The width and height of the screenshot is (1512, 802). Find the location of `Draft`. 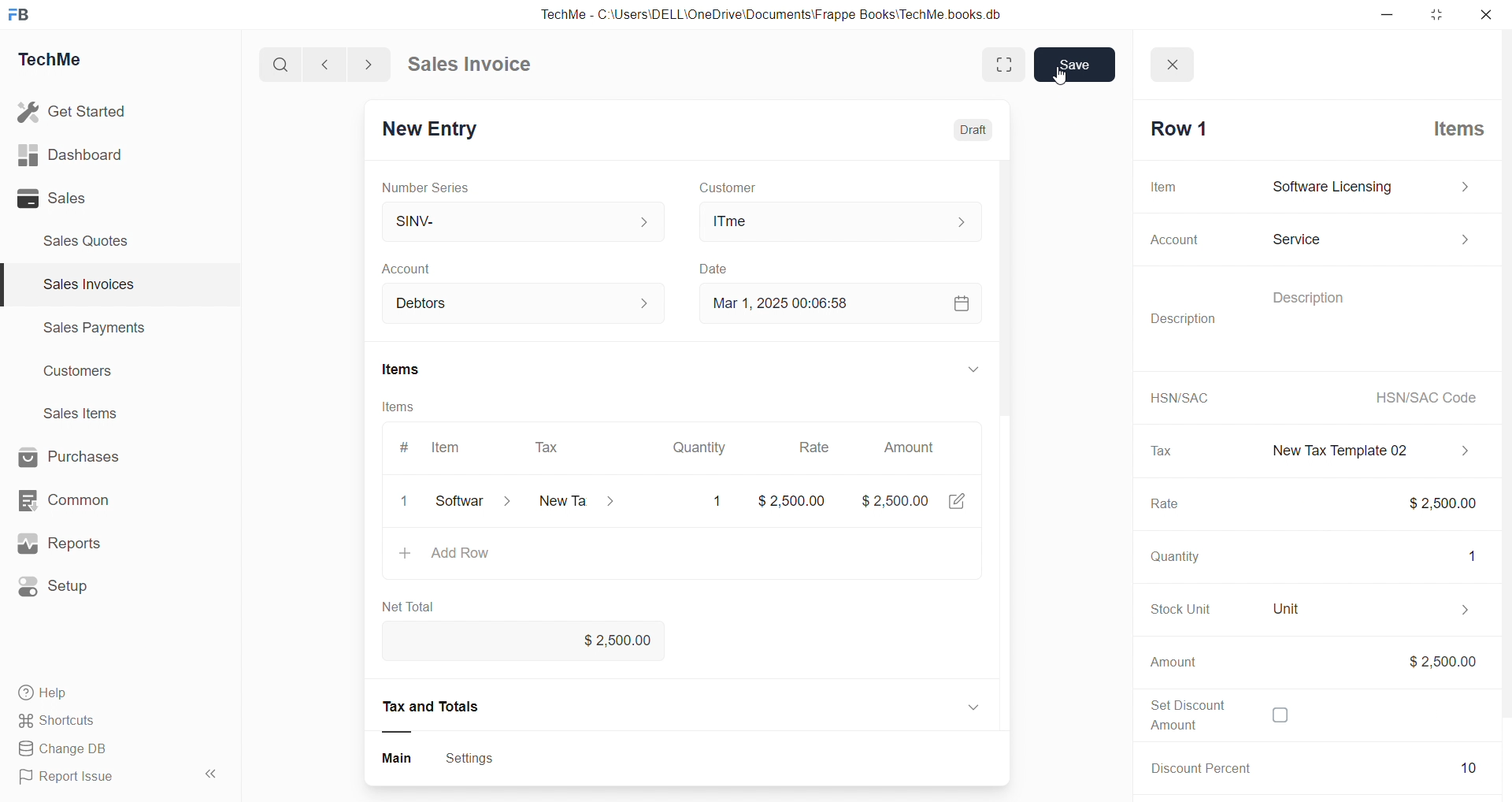

Draft is located at coordinates (966, 124).